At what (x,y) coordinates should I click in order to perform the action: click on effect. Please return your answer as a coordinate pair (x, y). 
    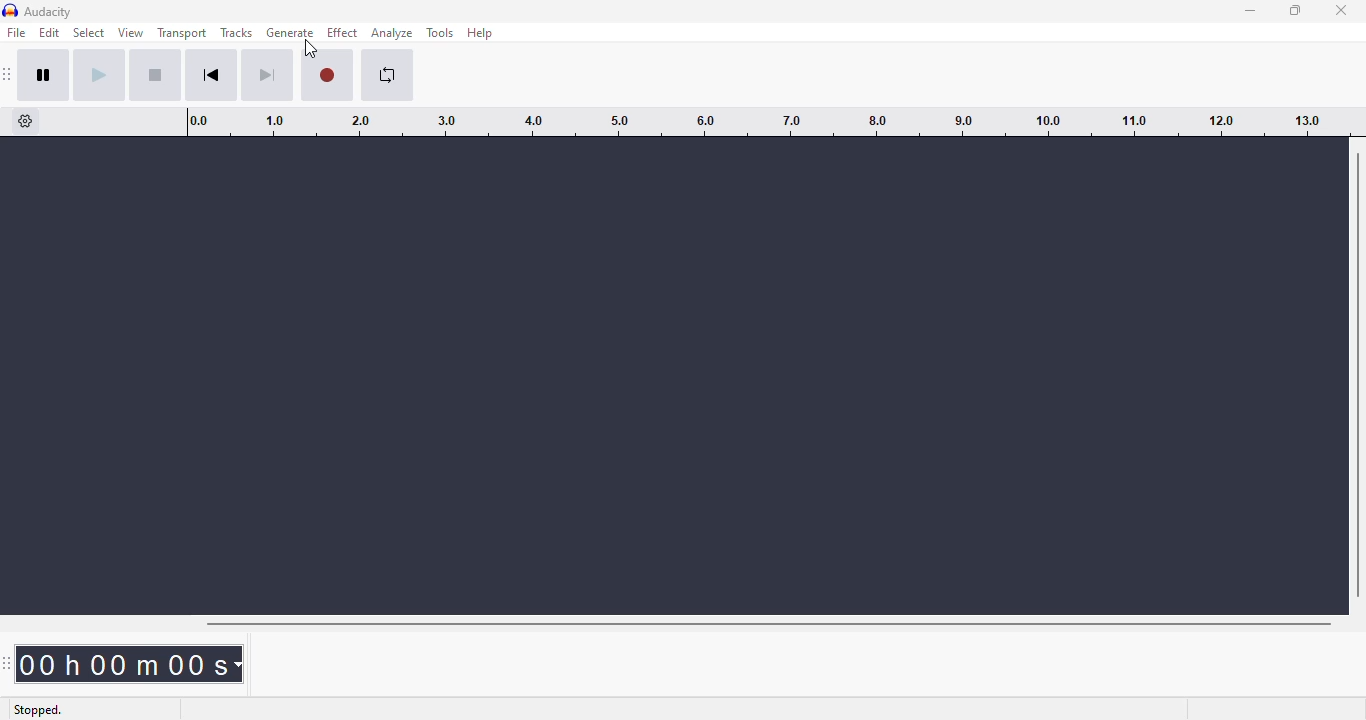
    Looking at the image, I should click on (343, 32).